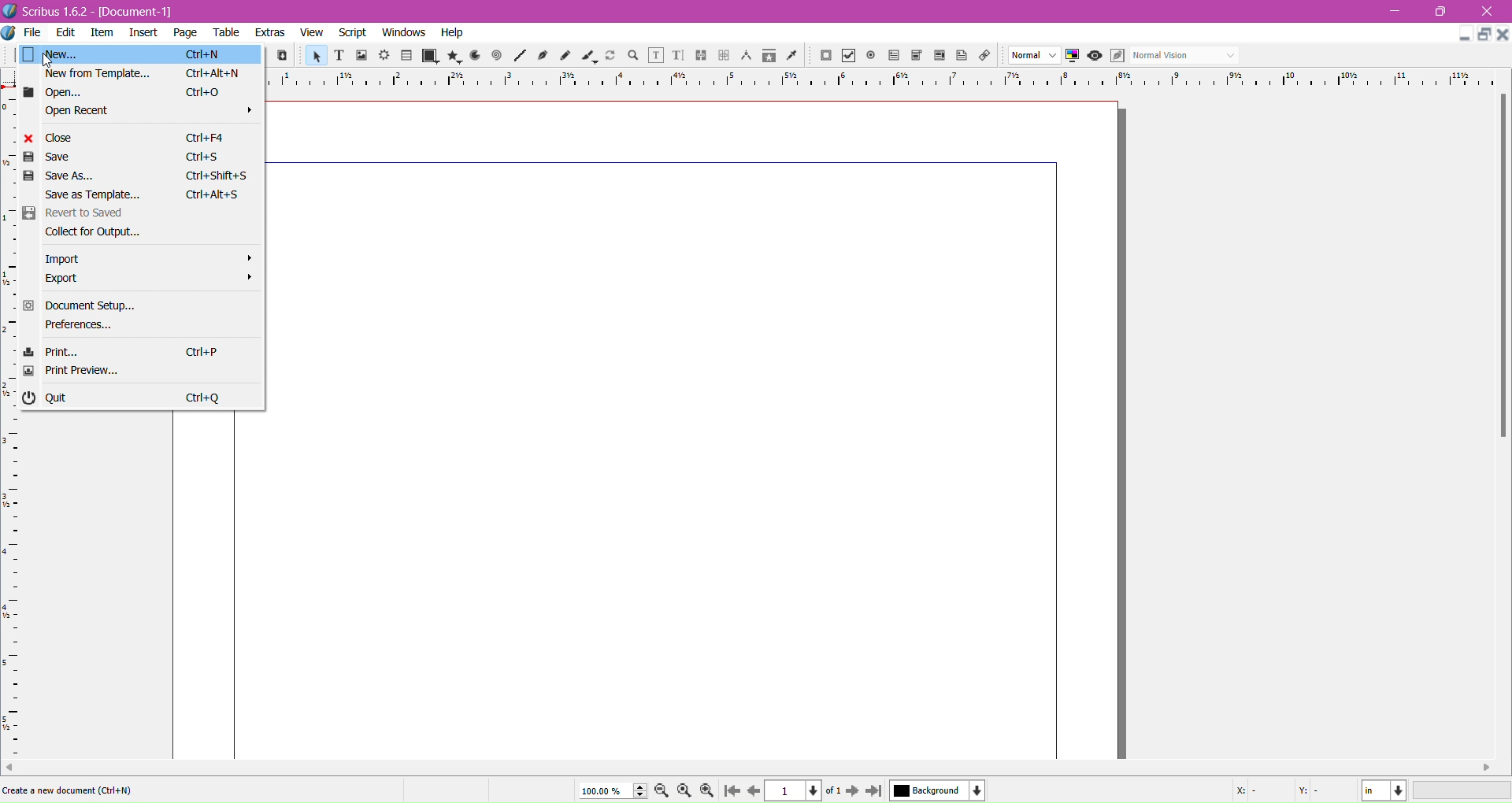 The image size is (1512, 803). What do you see at coordinates (685, 790) in the screenshot?
I see `zoom icon` at bounding box center [685, 790].